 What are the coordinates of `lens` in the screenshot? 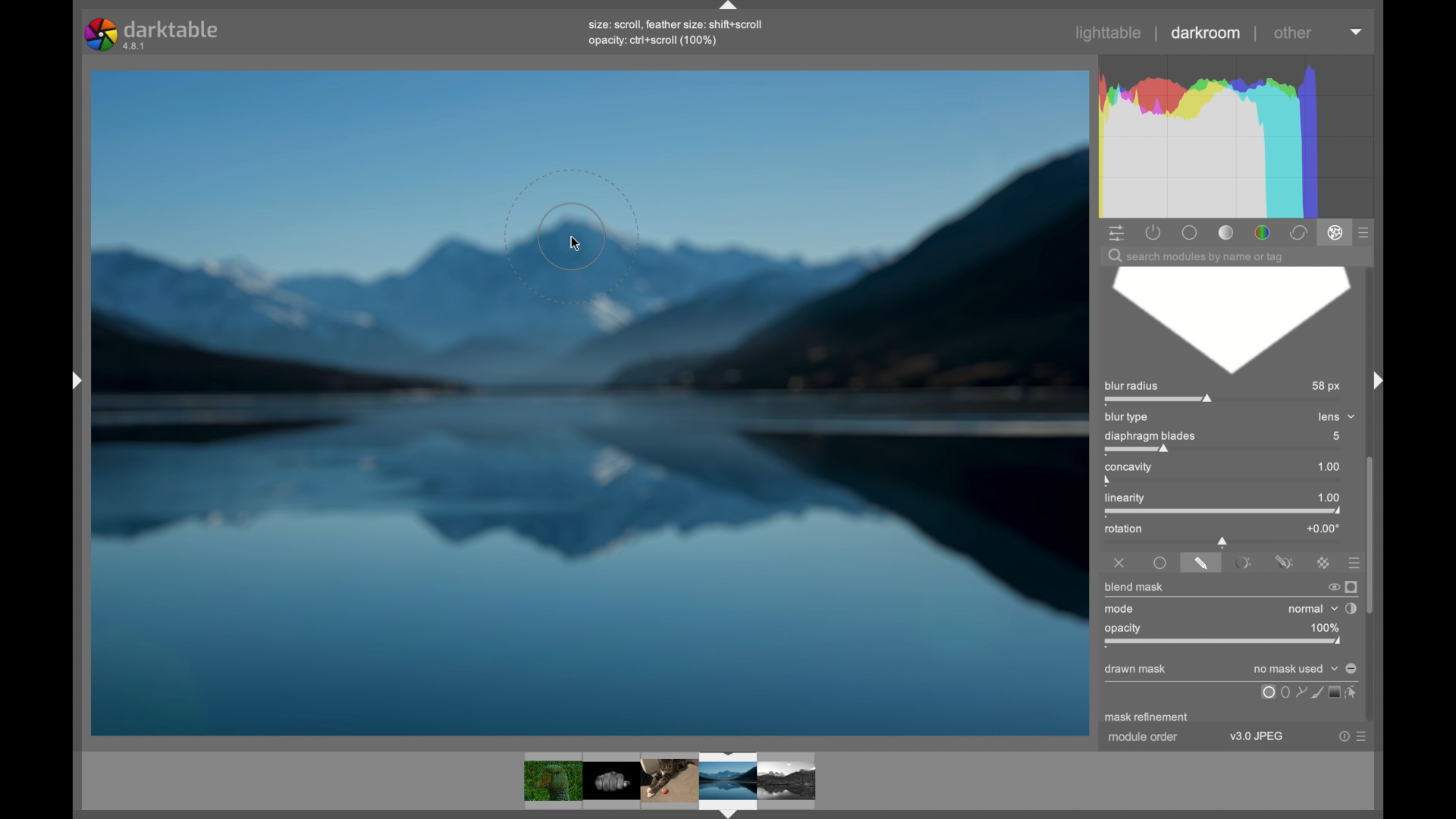 It's located at (1335, 416).